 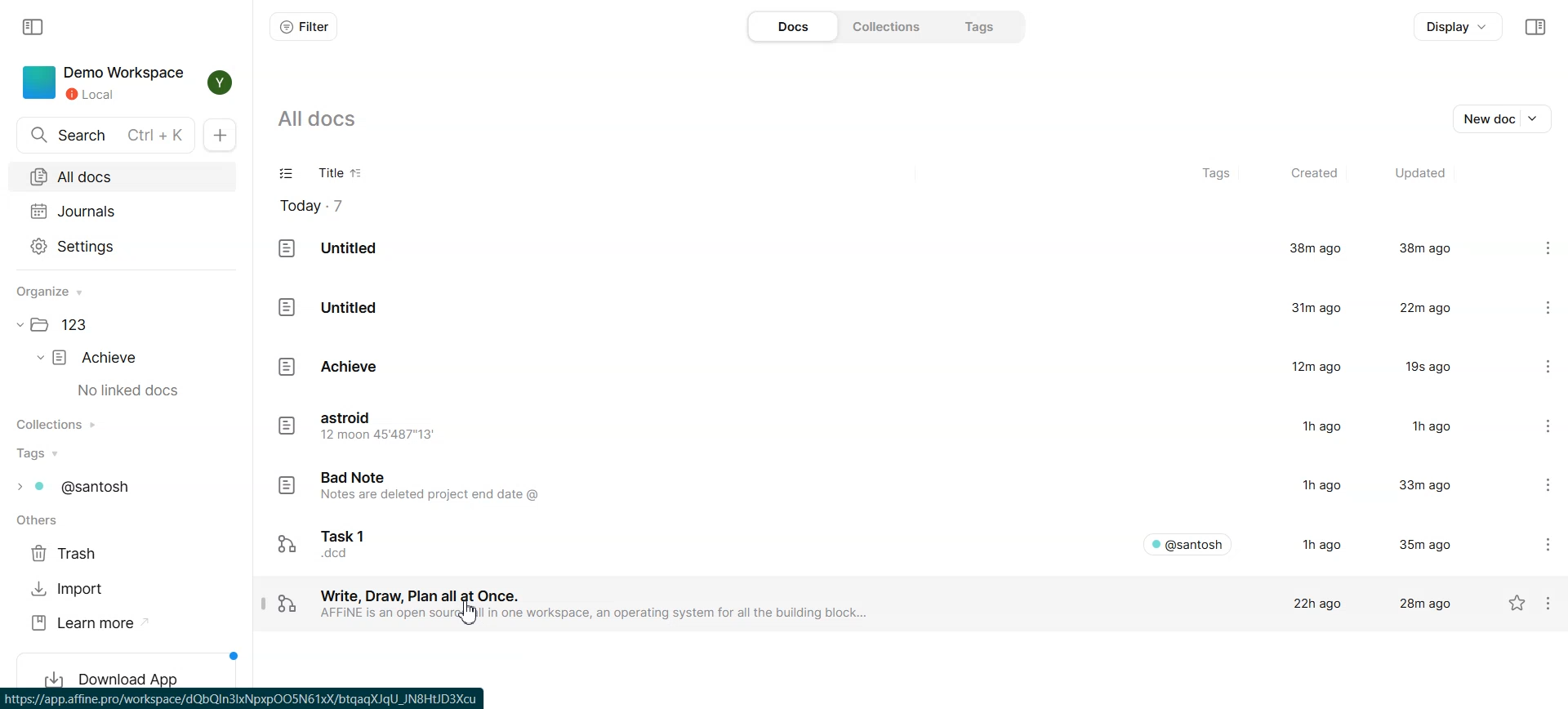 I want to click on all docs, so click(x=328, y=118).